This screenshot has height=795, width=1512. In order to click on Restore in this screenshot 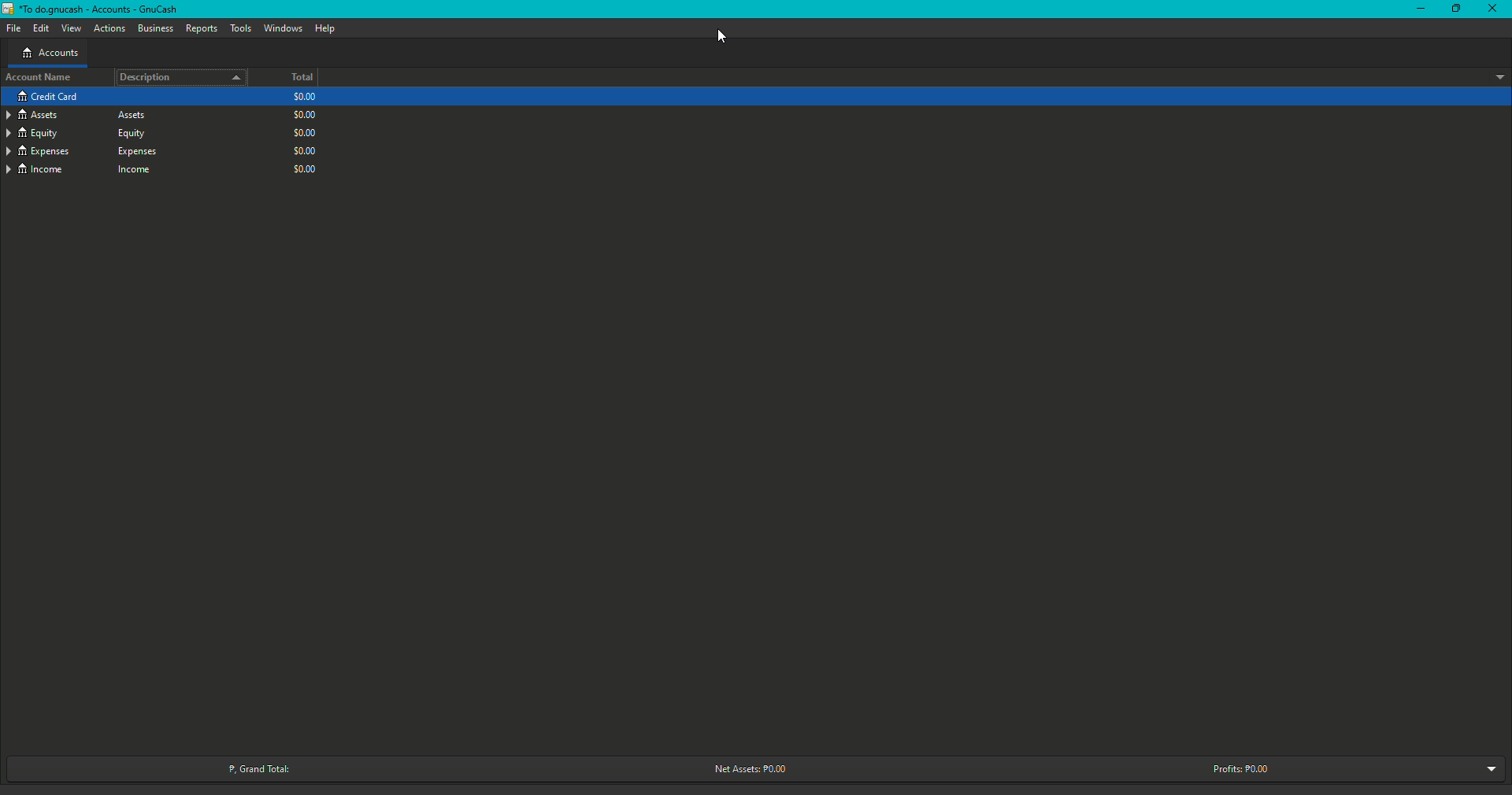, I will do `click(1453, 9)`.